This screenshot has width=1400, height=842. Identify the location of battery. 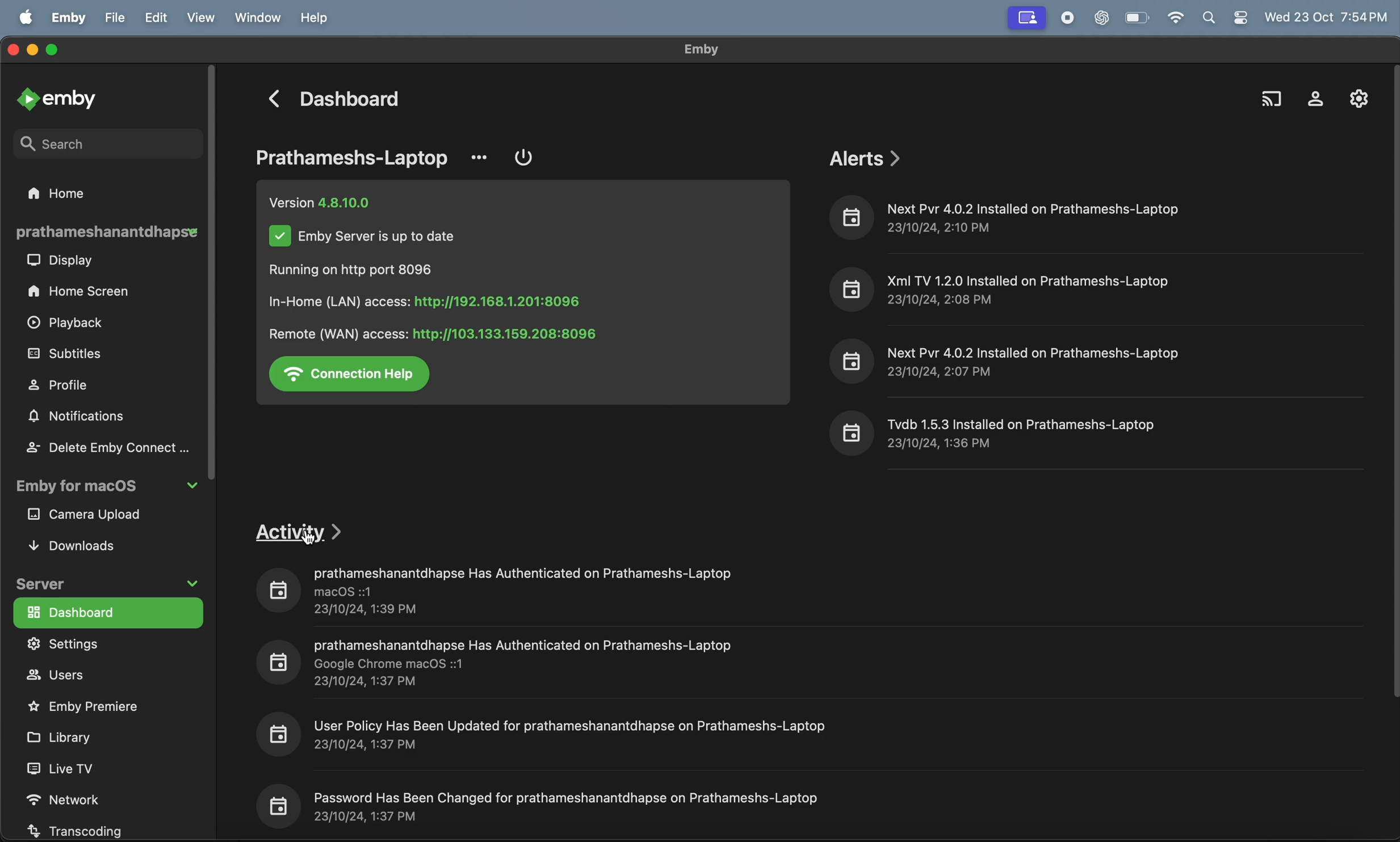
(1138, 18).